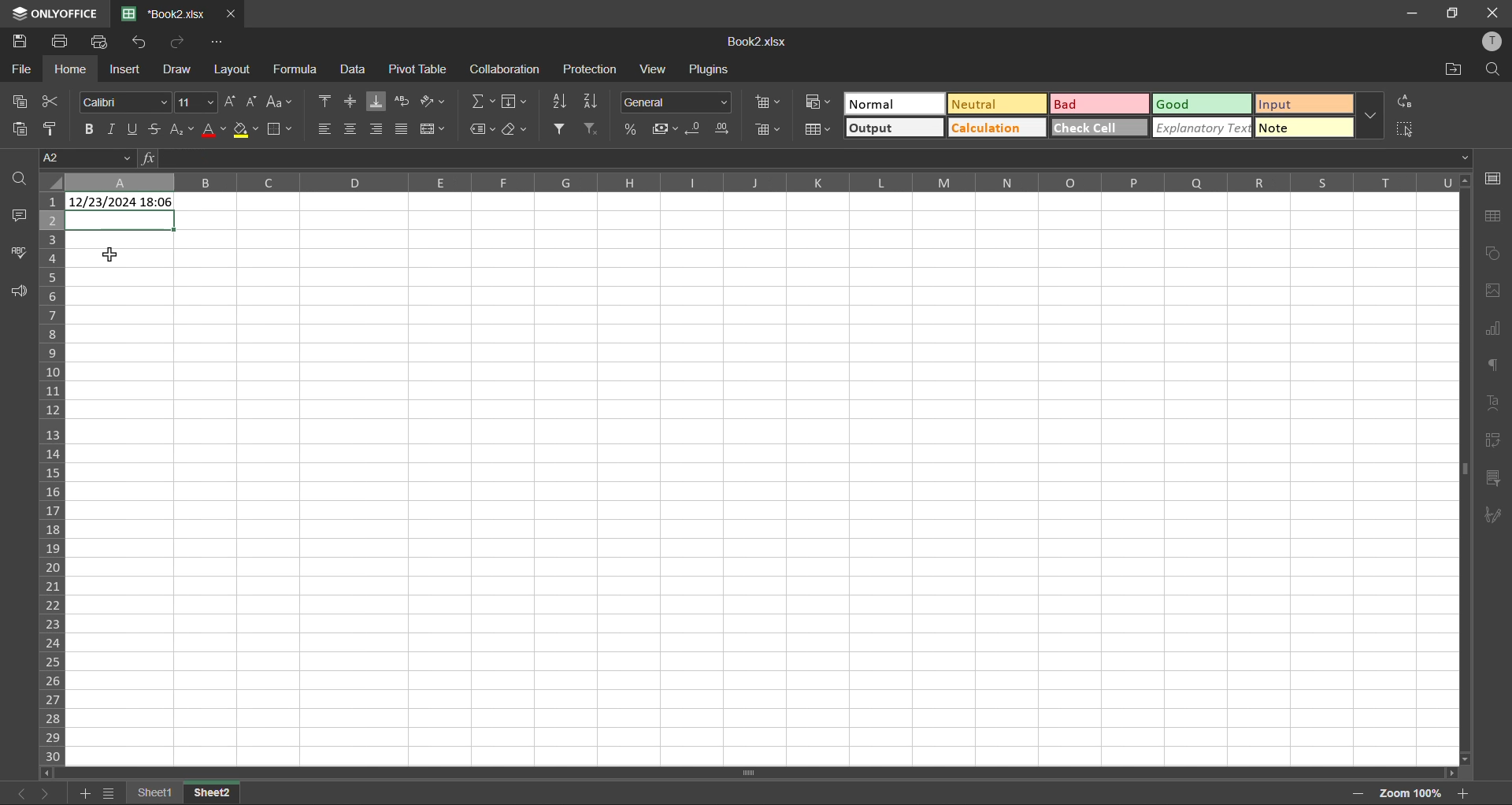 The height and width of the screenshot is (805, 1512). What do you see at coordinates (1455, 13) in the screenshot?
I see `maximize` at bounding box center [1455, 13].